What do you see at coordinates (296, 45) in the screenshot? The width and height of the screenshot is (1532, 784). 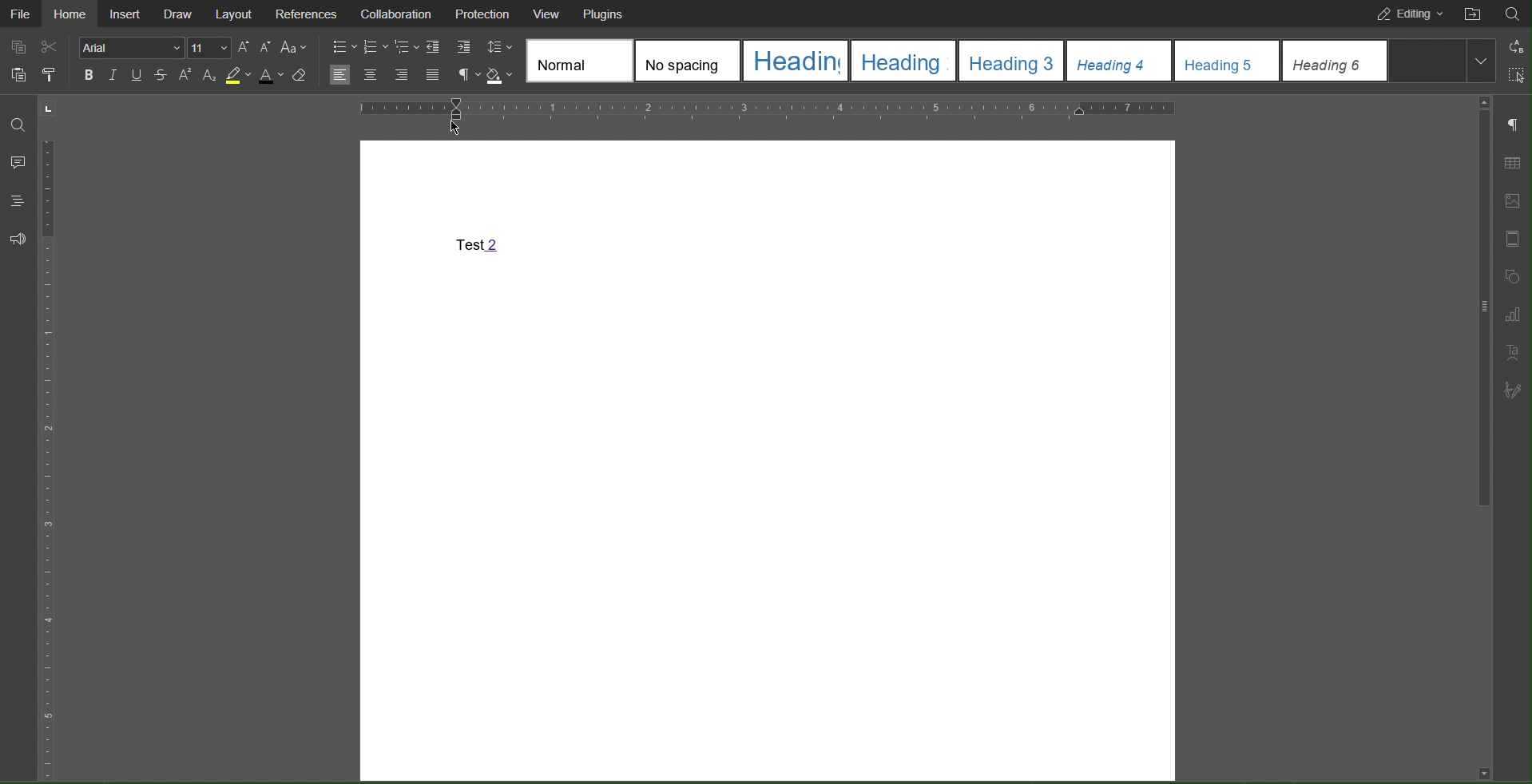 I see `Change Case` at bounding box center [296, 45].